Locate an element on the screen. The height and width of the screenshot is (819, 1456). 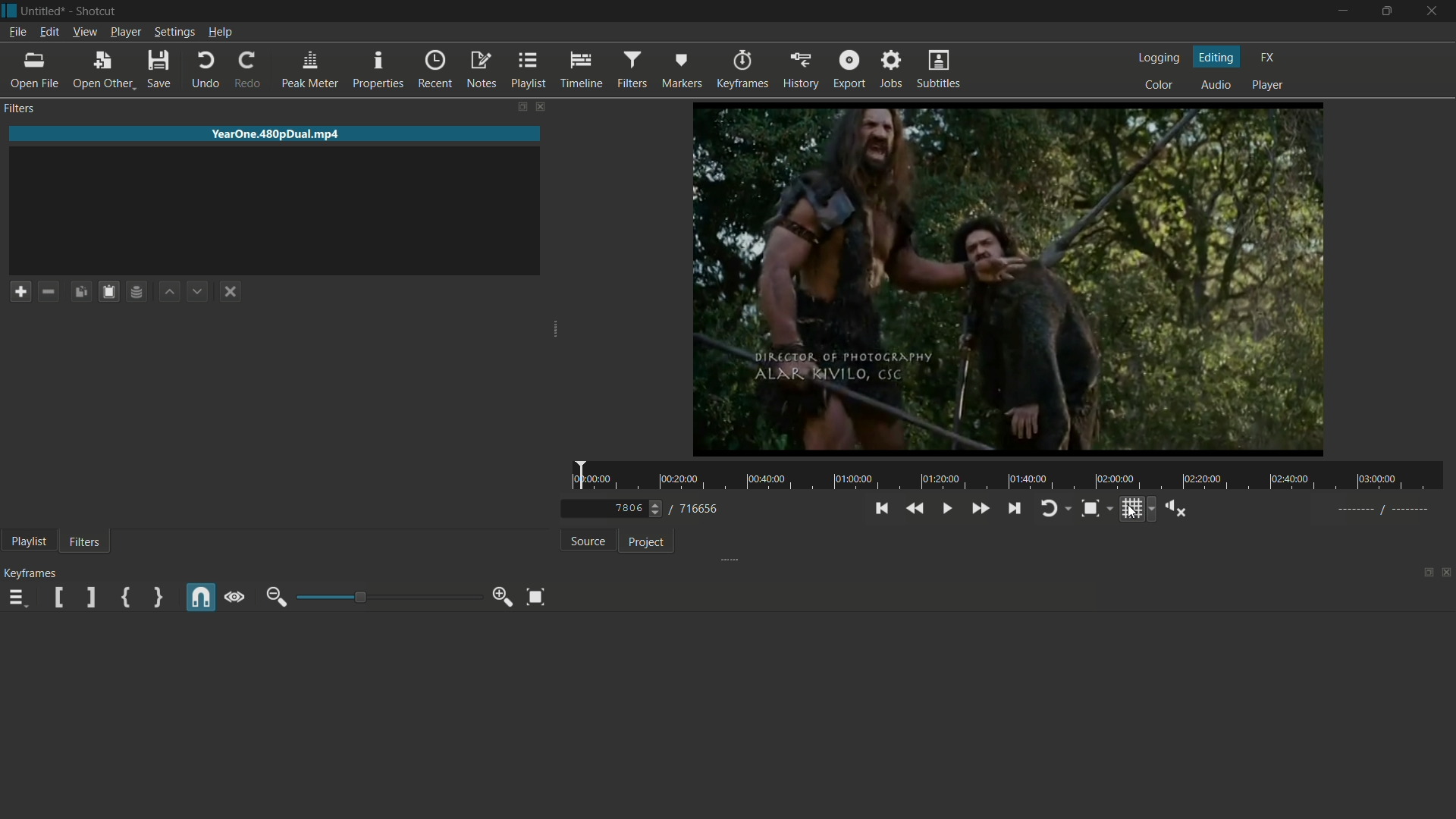
filters is located at coordinates (632, 70).